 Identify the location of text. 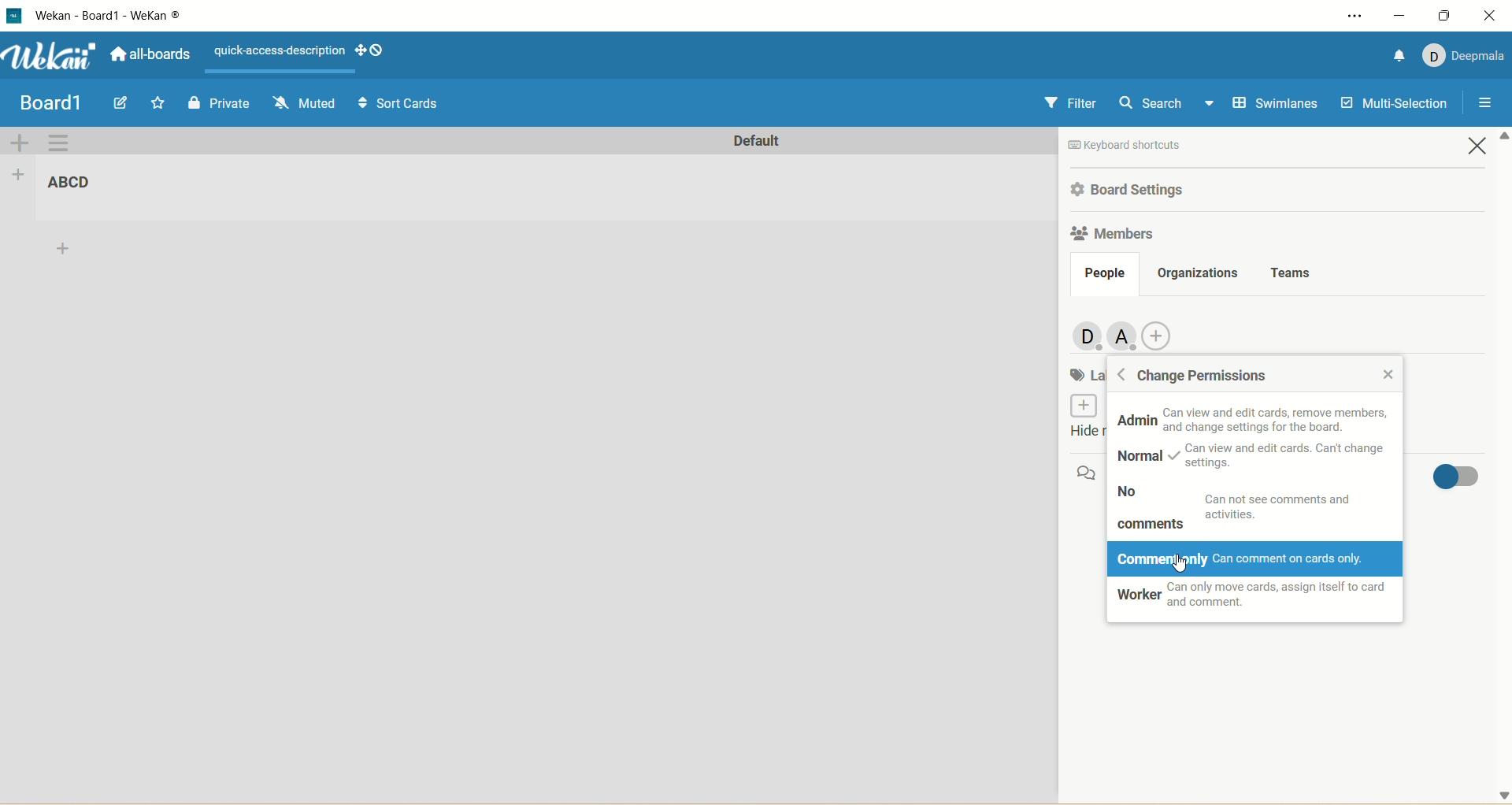
(1289, 506).